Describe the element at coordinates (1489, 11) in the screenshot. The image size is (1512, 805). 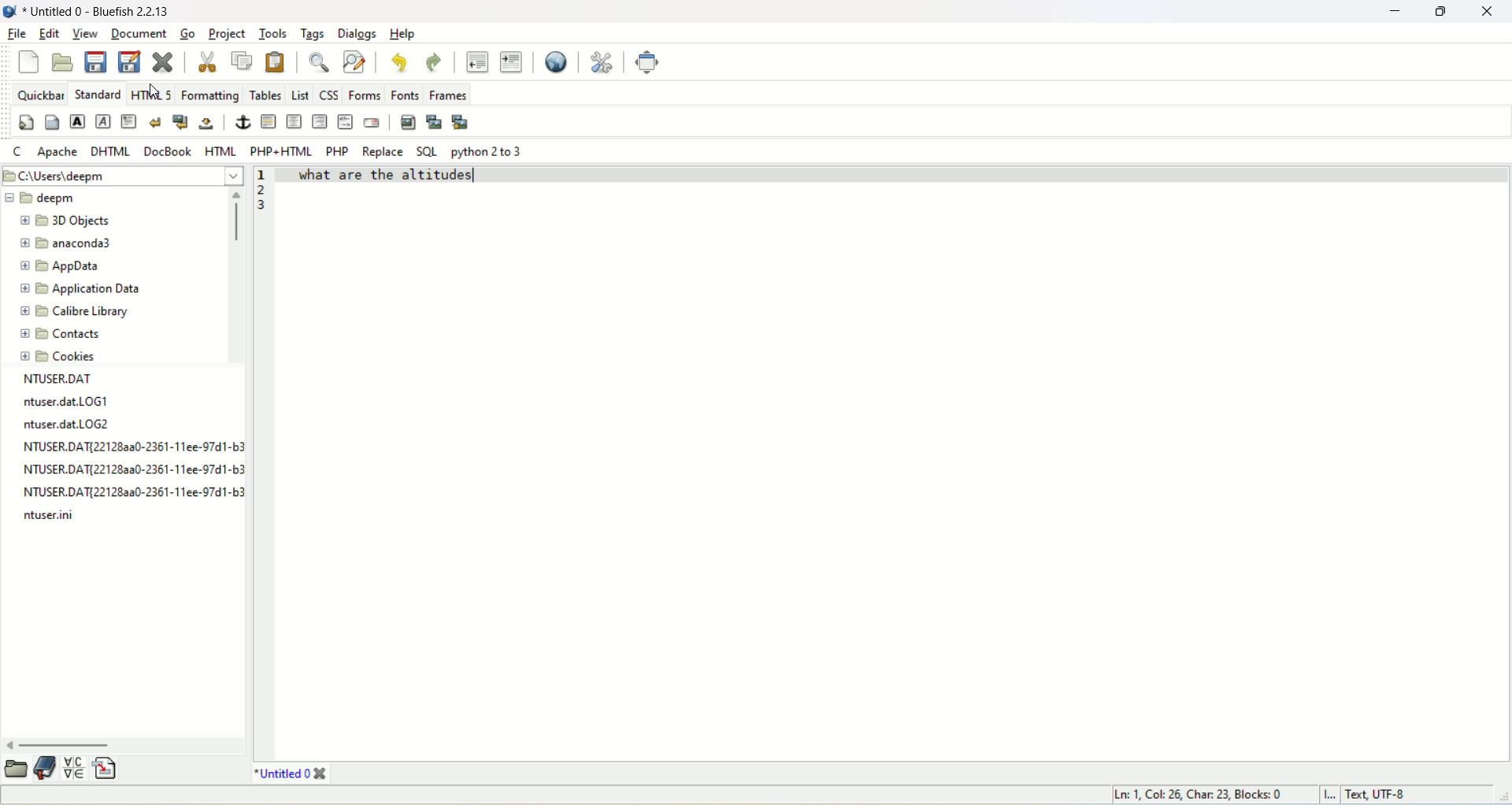
I see `close` at that location.